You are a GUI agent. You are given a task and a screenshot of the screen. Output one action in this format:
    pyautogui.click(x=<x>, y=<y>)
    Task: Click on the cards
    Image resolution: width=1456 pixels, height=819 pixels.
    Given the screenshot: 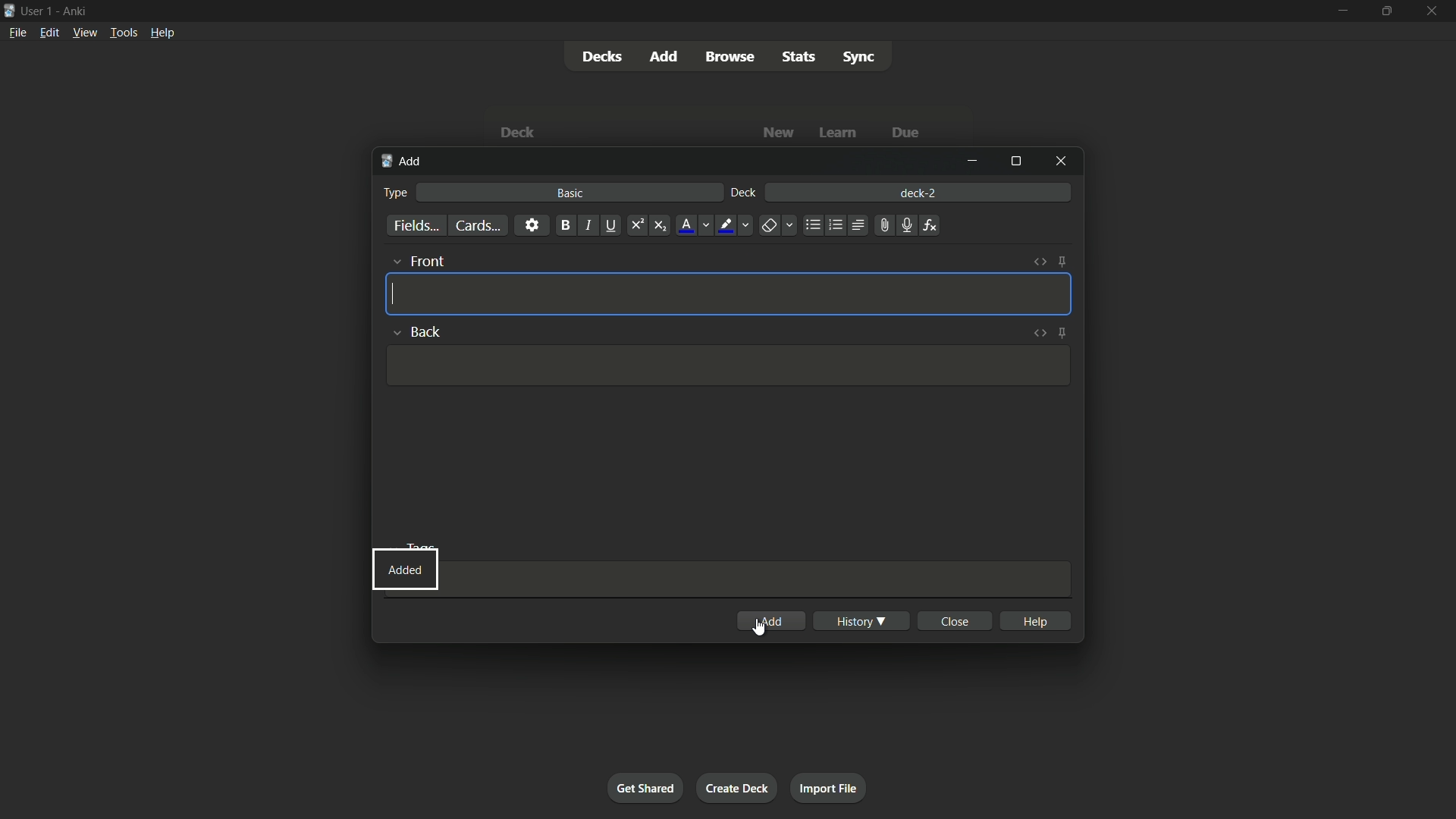 What is the action you would take?
    pyautogui.click(x=479, y=225)
    